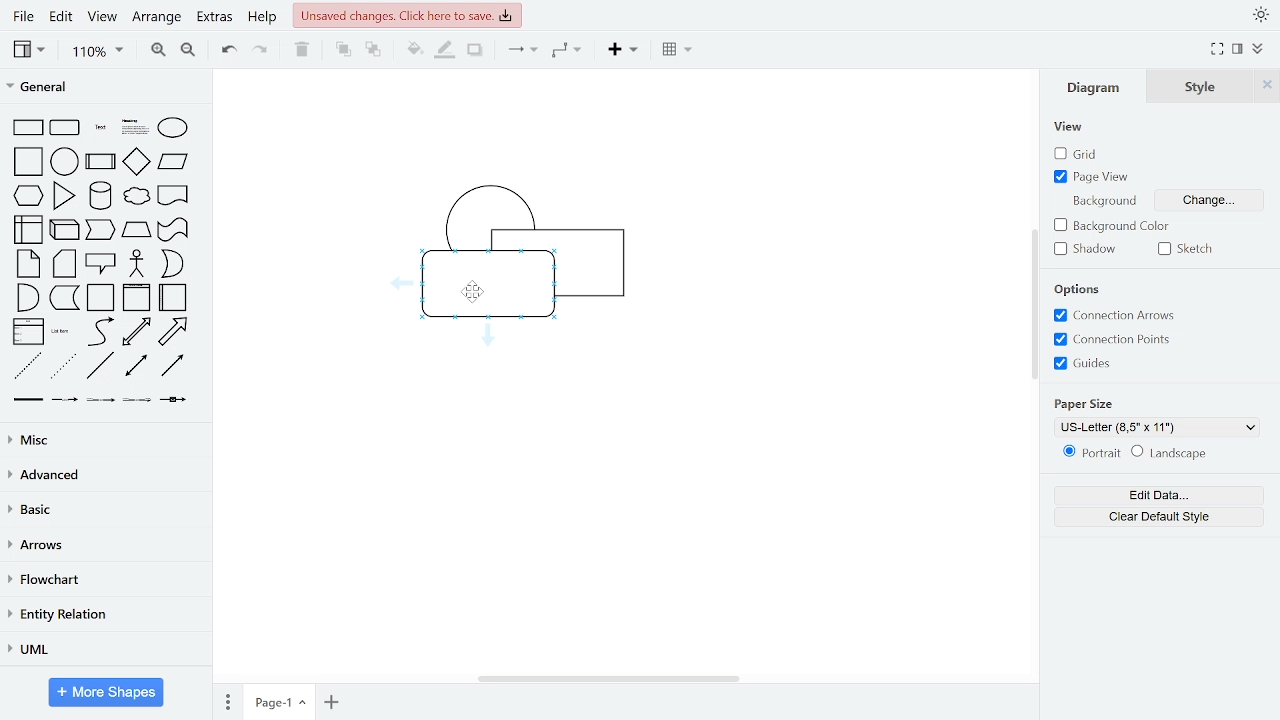 The width and height of the screenshot is (1280, 720). I want to click on diamond, so click(136, 162).